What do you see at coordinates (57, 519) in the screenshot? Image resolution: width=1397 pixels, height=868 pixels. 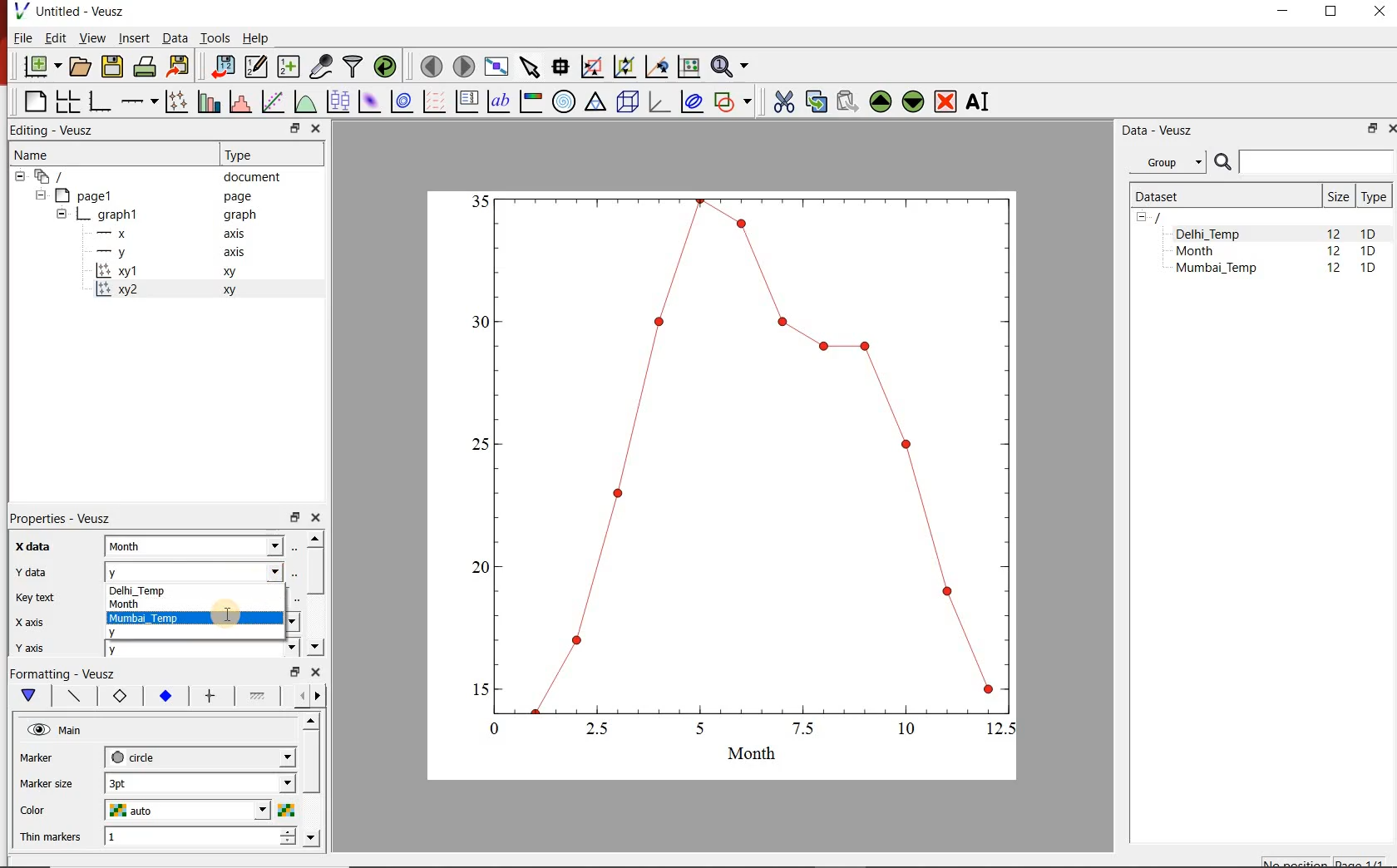 I see `Properties - Veusz` at bounding box center [57, 519].